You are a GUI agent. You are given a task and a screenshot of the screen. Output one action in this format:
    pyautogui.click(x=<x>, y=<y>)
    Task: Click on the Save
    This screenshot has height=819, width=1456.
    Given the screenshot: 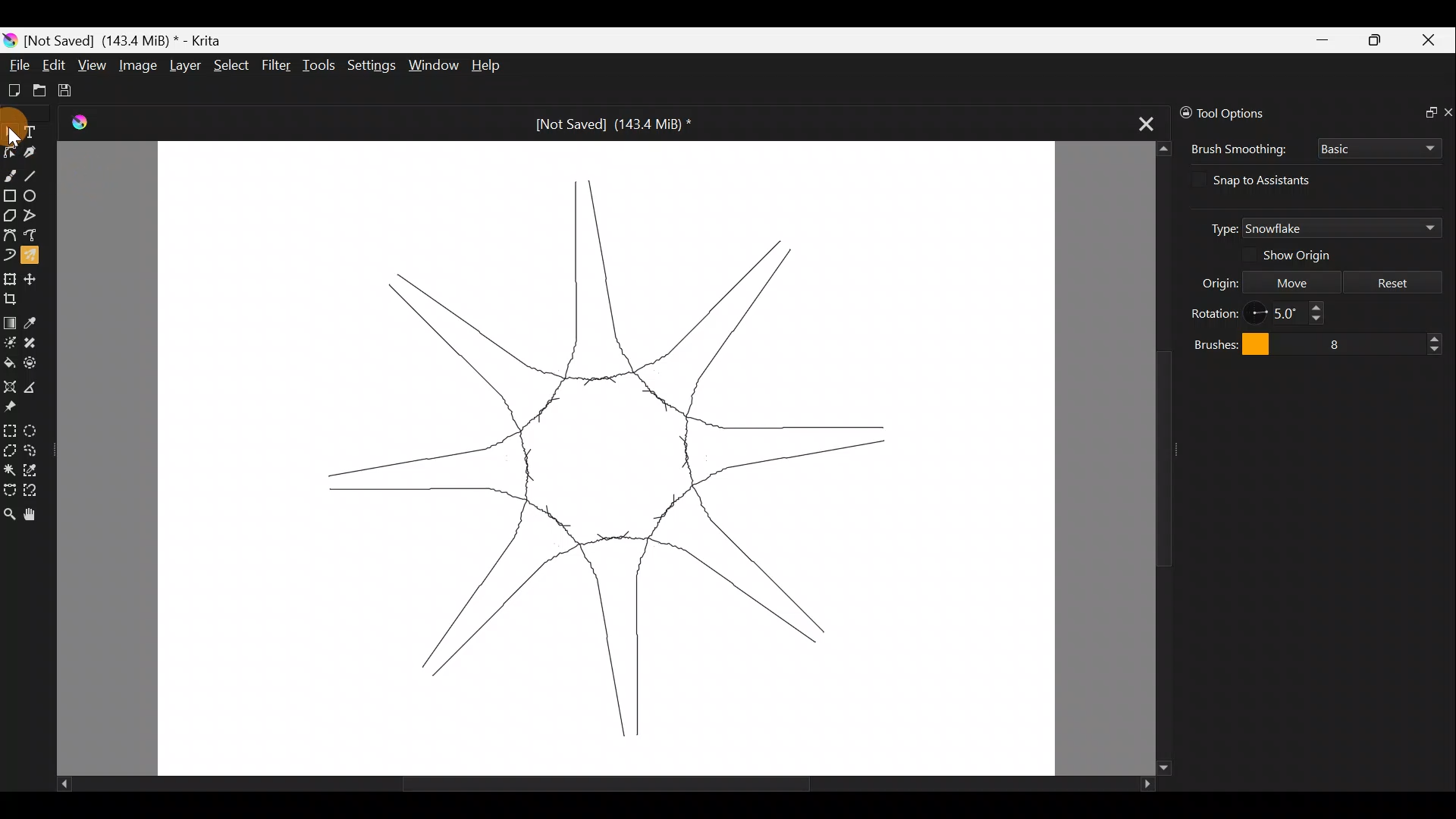 What is the action you would take?
    pyautogui.click(x=70, y=91)
    